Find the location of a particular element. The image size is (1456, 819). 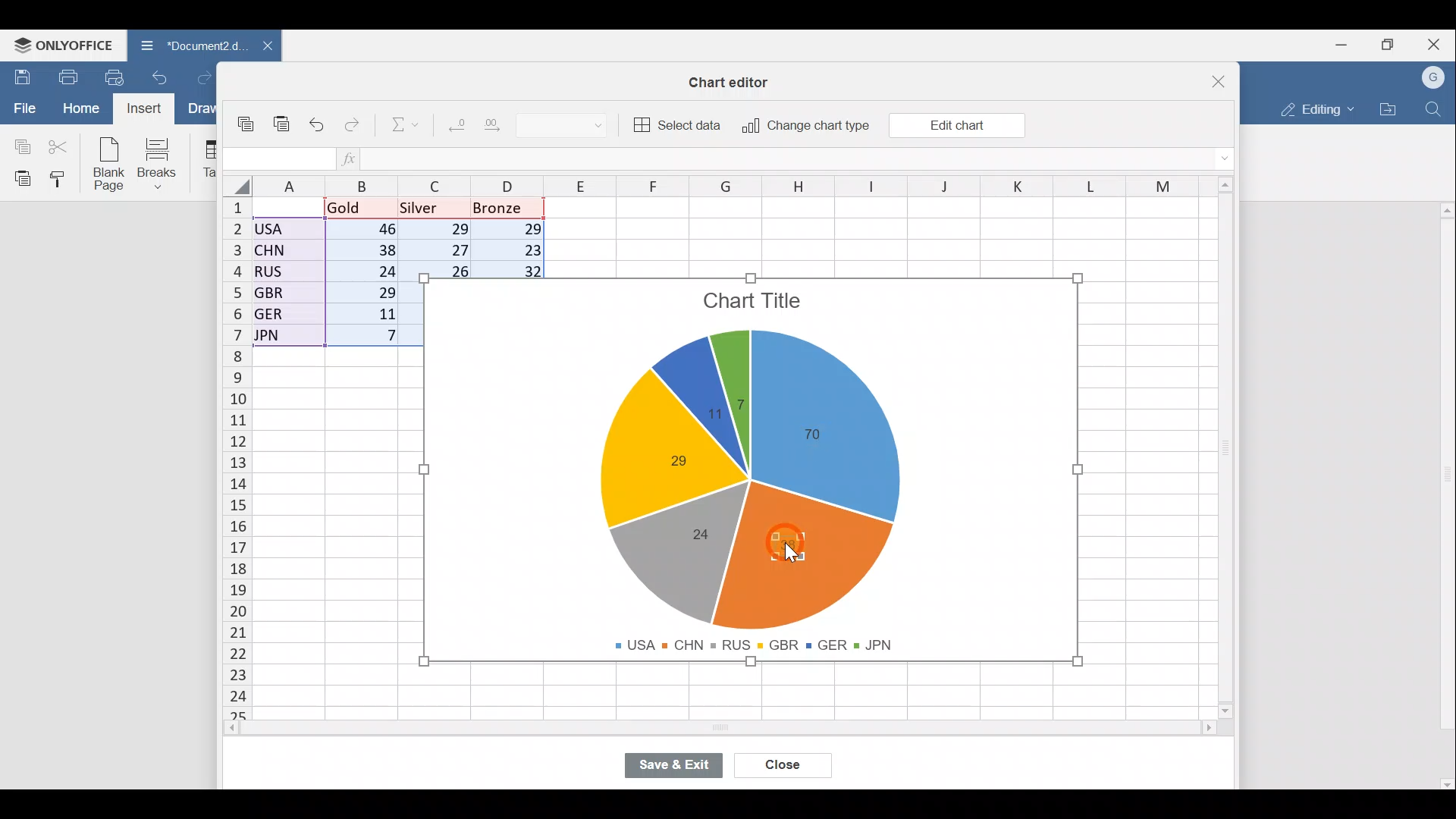

Number format is located at coordinates (568, 123).